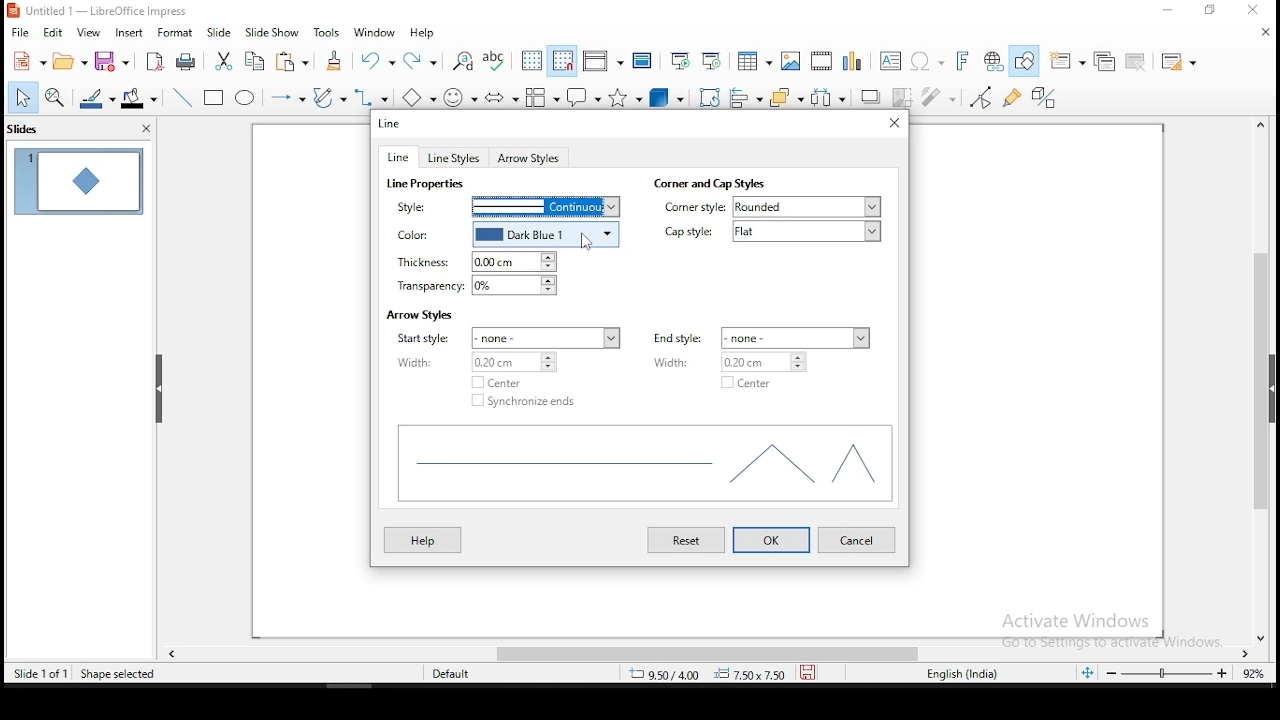 This screenshot has height=720, width=1280. I want to click on curves and polygons, so click(329, 98).